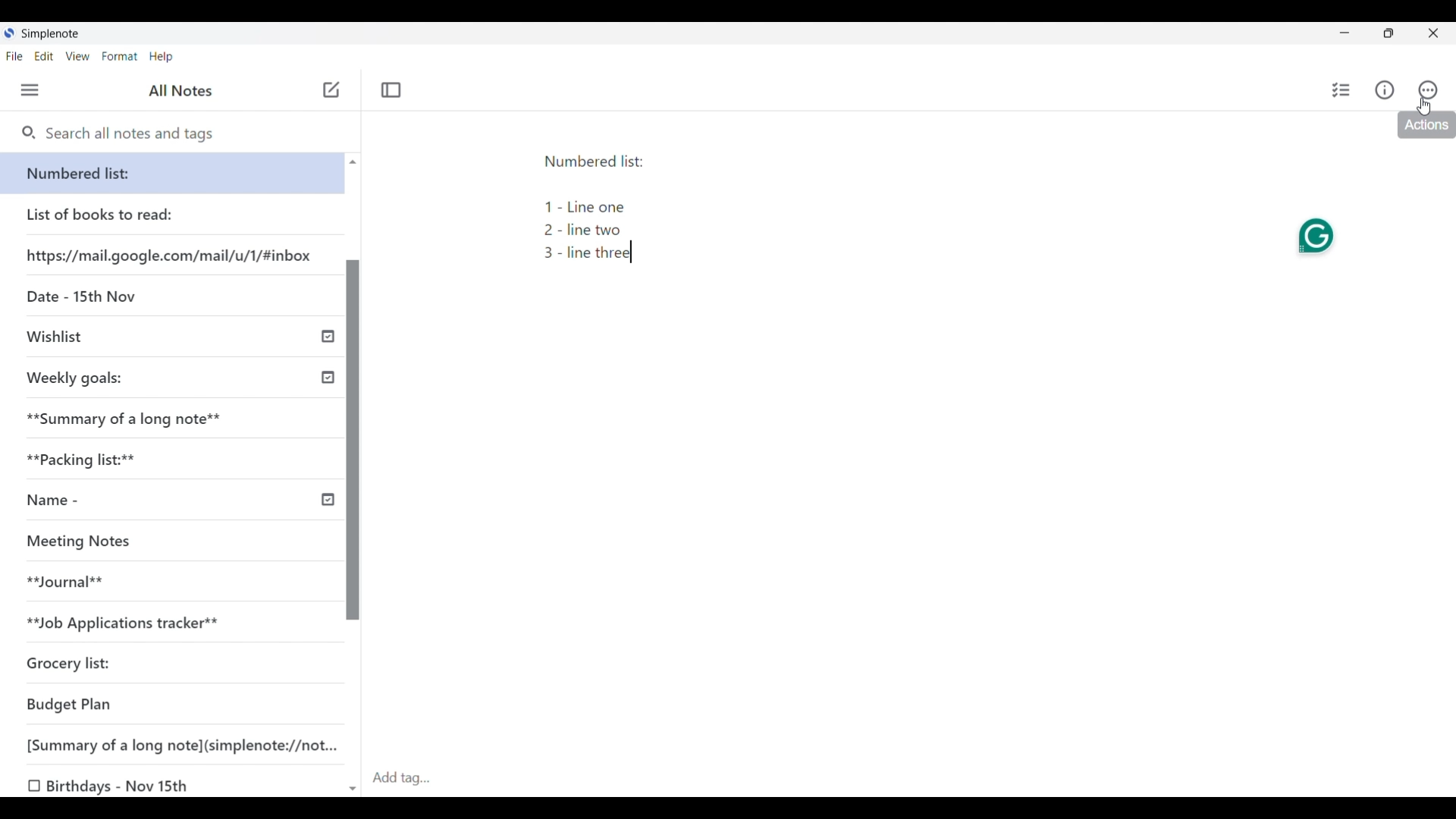 Image resolution: width=1456 pixels, height=819 pixels. I want to click on scroll up, so click(353, 162).